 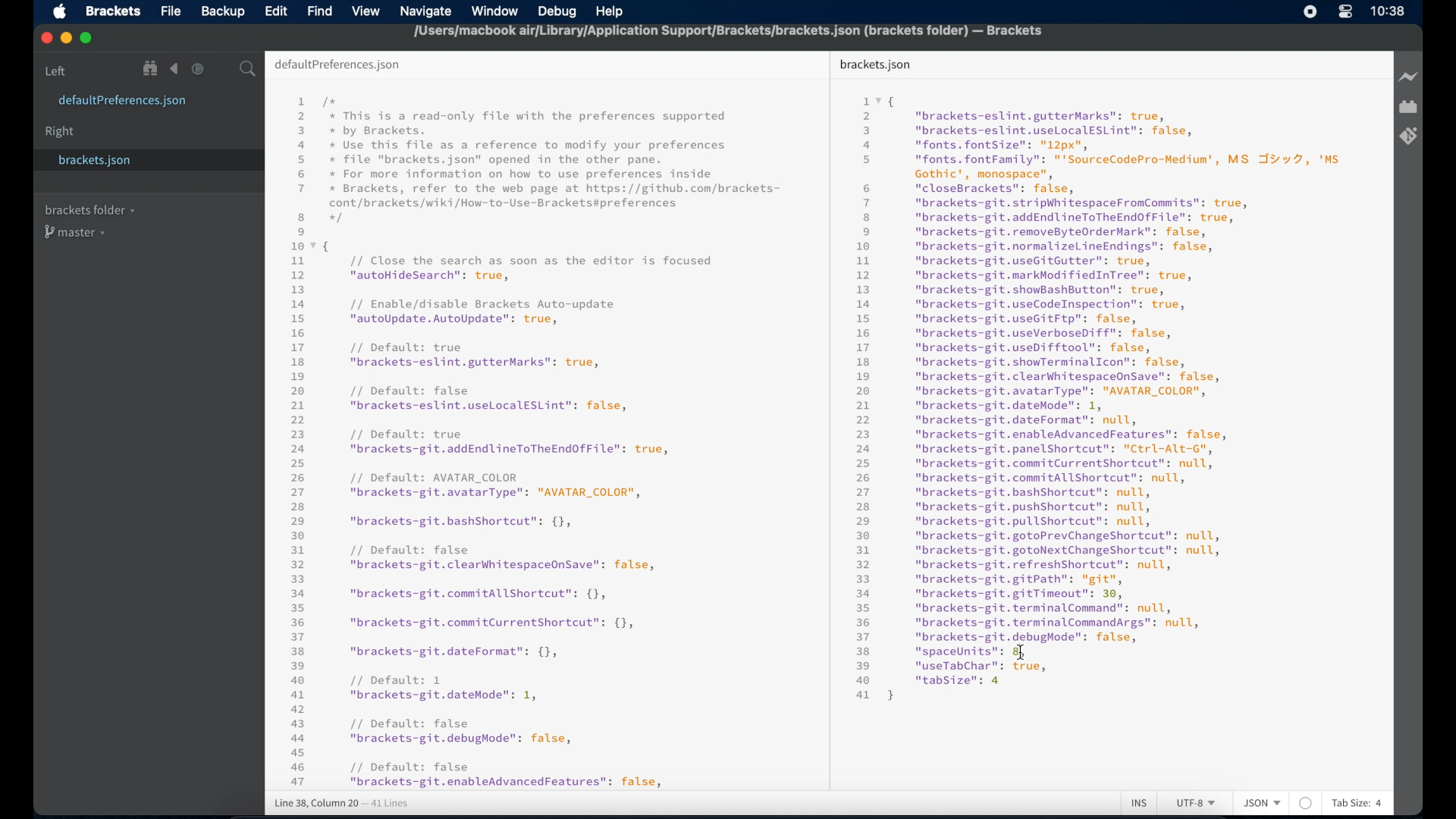 What do you see at coordinates (1388, 11) in the screenshot?
I see `time` at bounding box center [1388, 11].